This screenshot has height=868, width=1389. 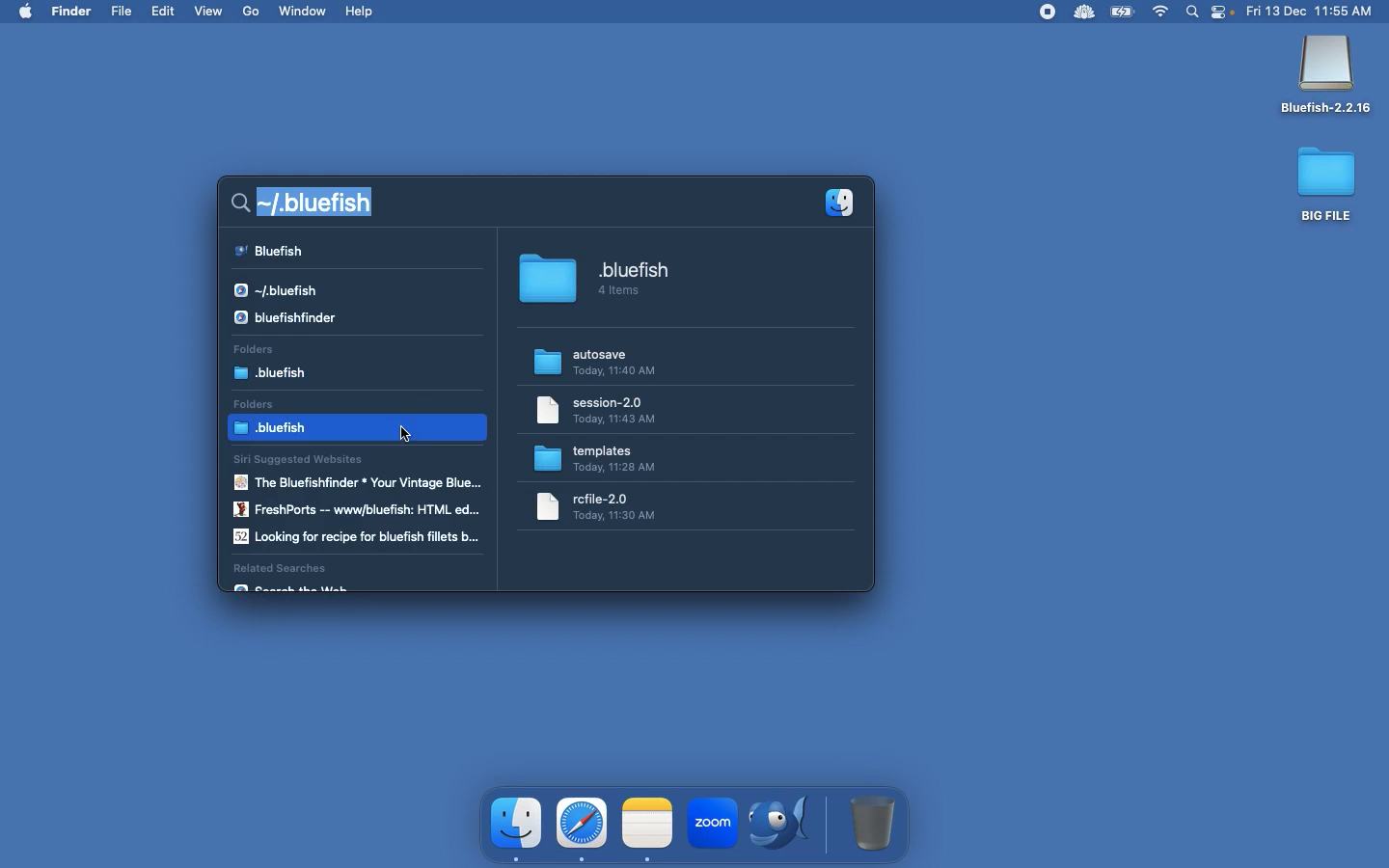 What do you see at coordinates (123, 12) in the screenshot?
I see `File` at bounding box center [123, 12].